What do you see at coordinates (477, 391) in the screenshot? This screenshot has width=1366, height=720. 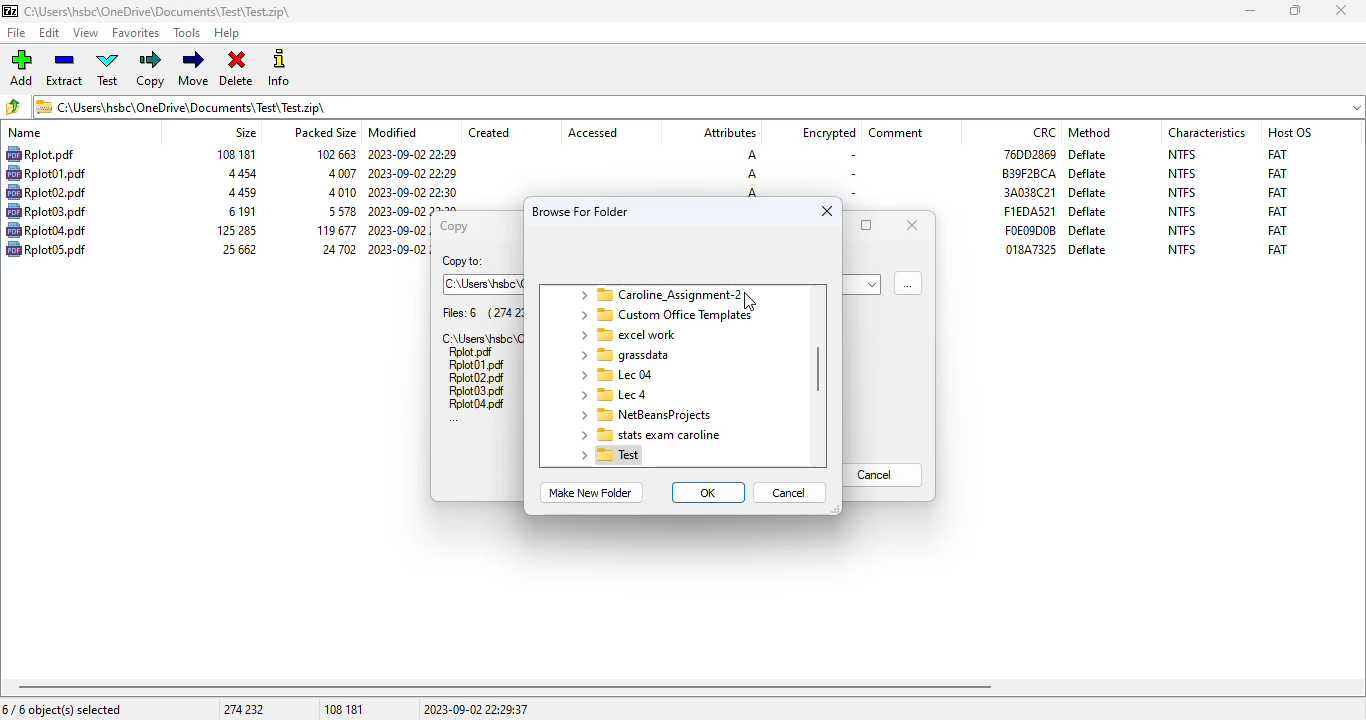 I see `file` at bounding box center [477, 391].